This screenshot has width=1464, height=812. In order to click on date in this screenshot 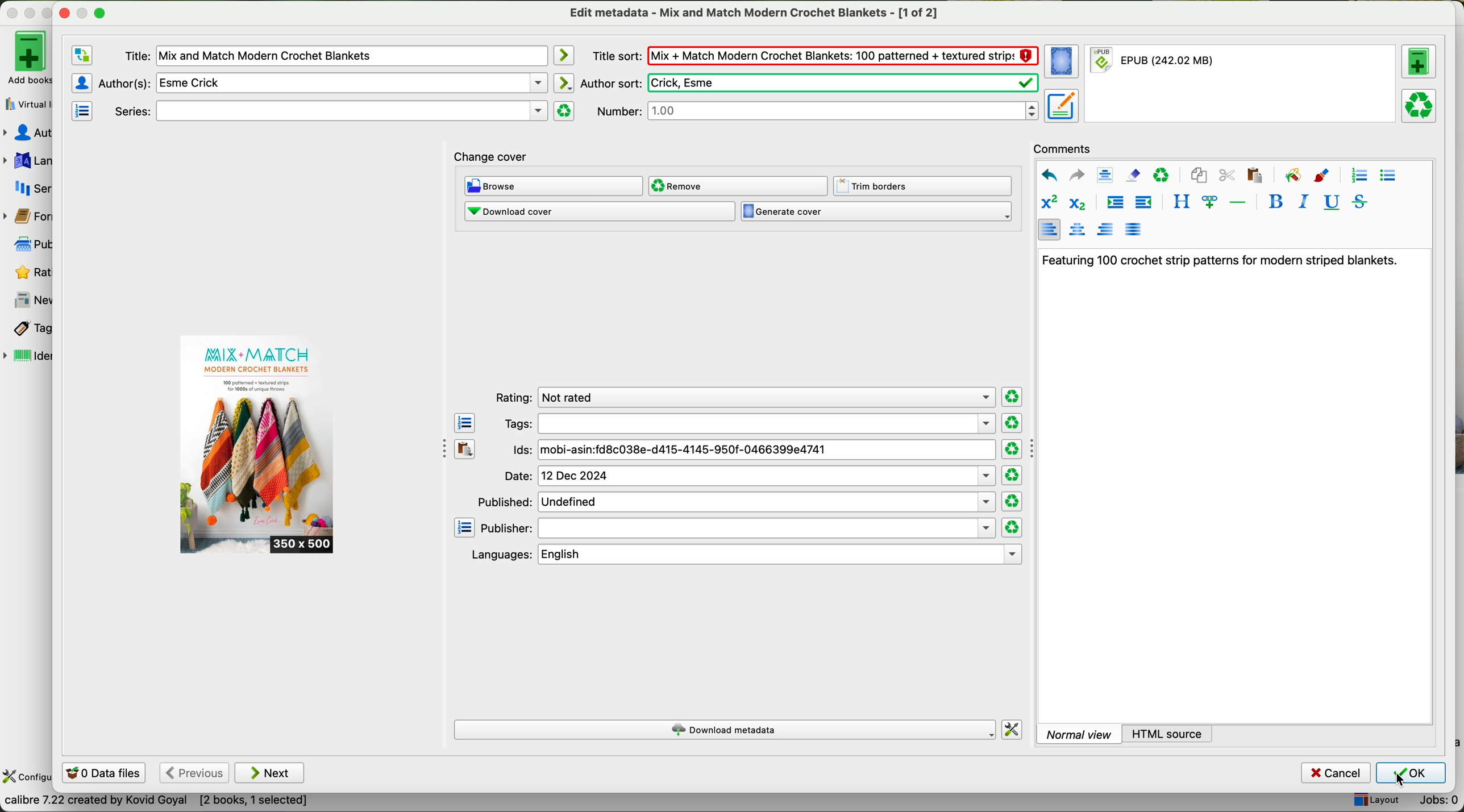, I will do `click(749, 476)`.